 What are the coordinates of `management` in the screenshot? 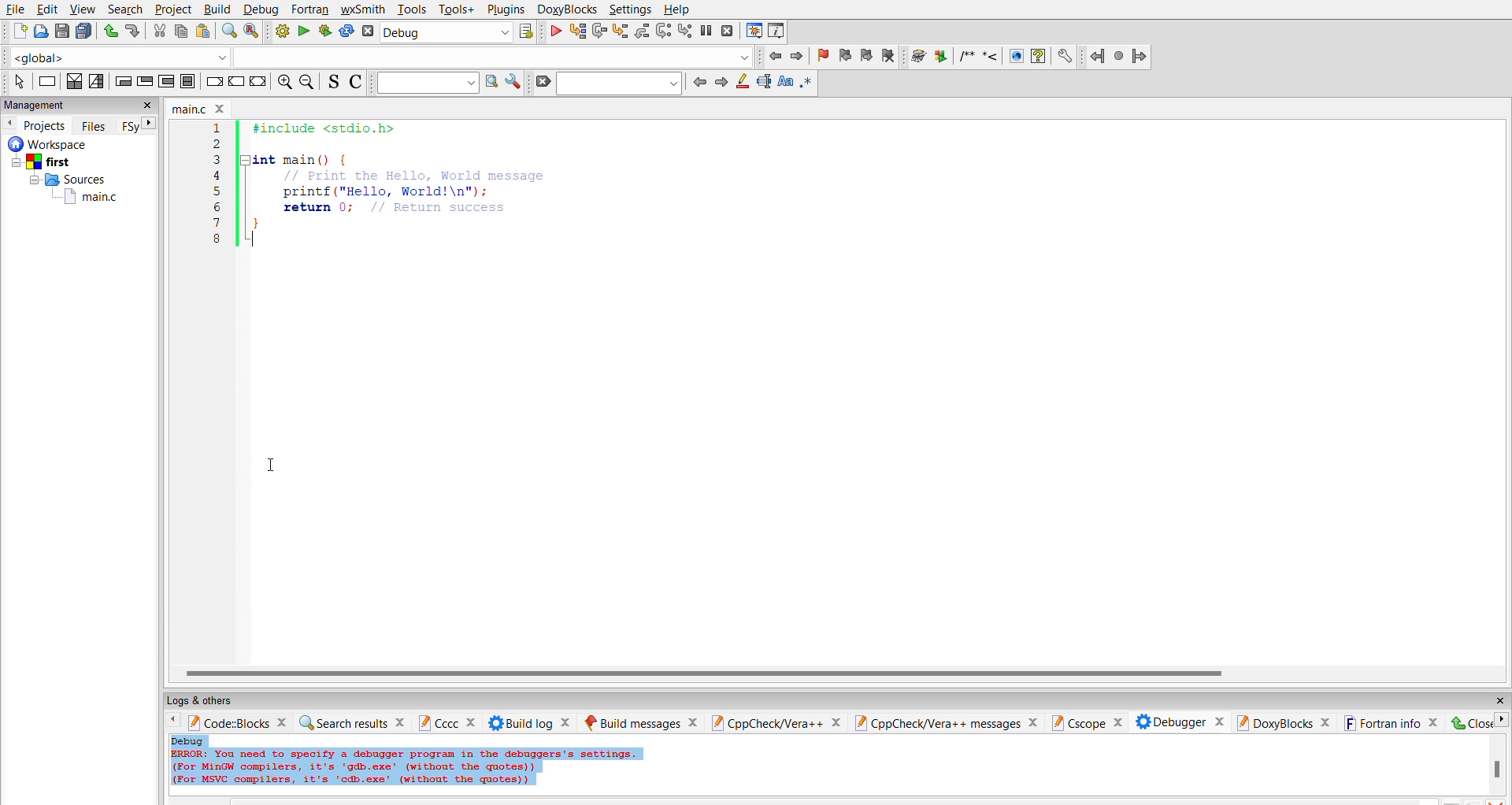 It's located at (50, 106).